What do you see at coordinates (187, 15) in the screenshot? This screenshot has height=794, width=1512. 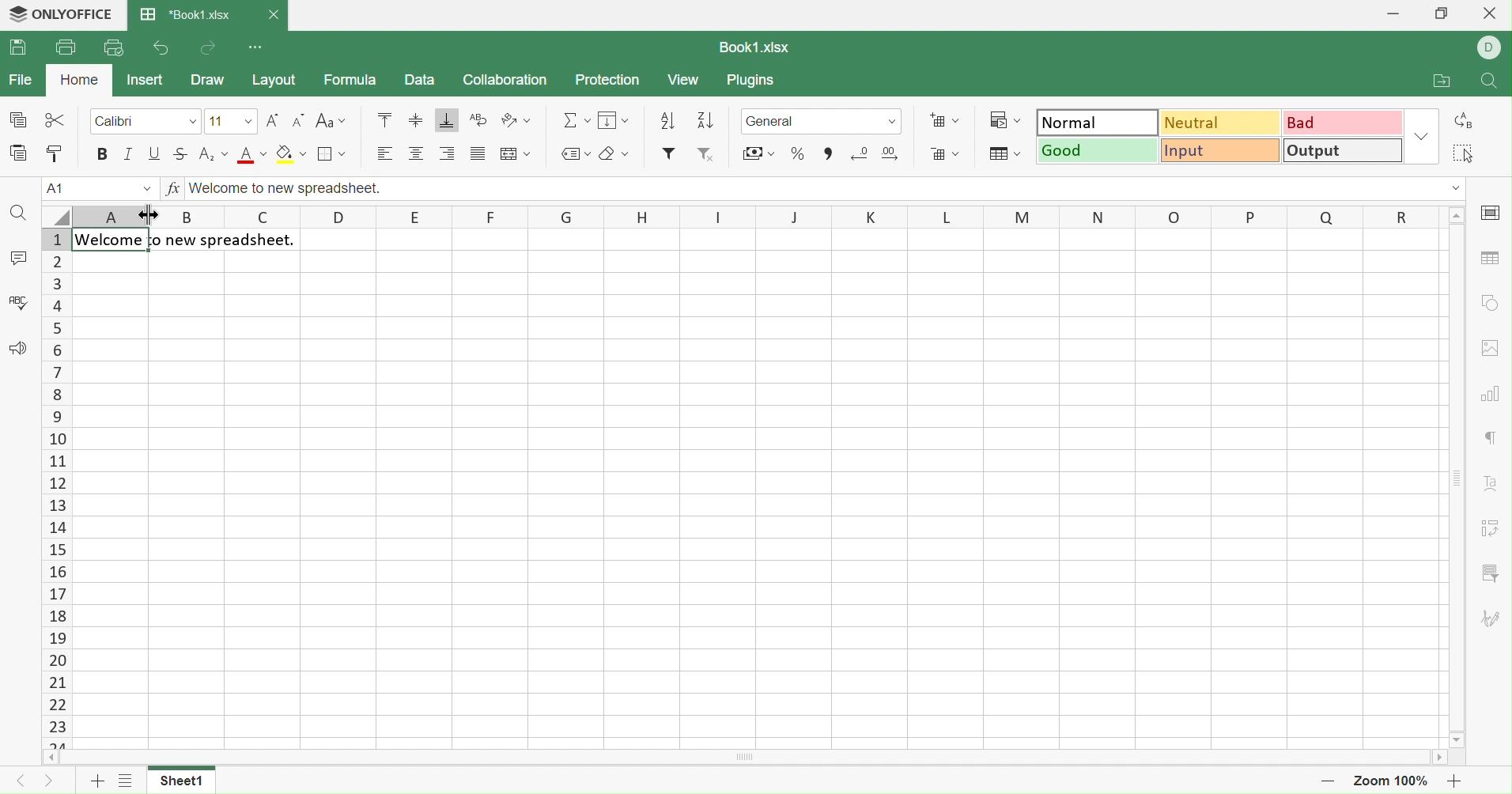 I see `*Book1.xlsx` at bounding box center [187, 15].